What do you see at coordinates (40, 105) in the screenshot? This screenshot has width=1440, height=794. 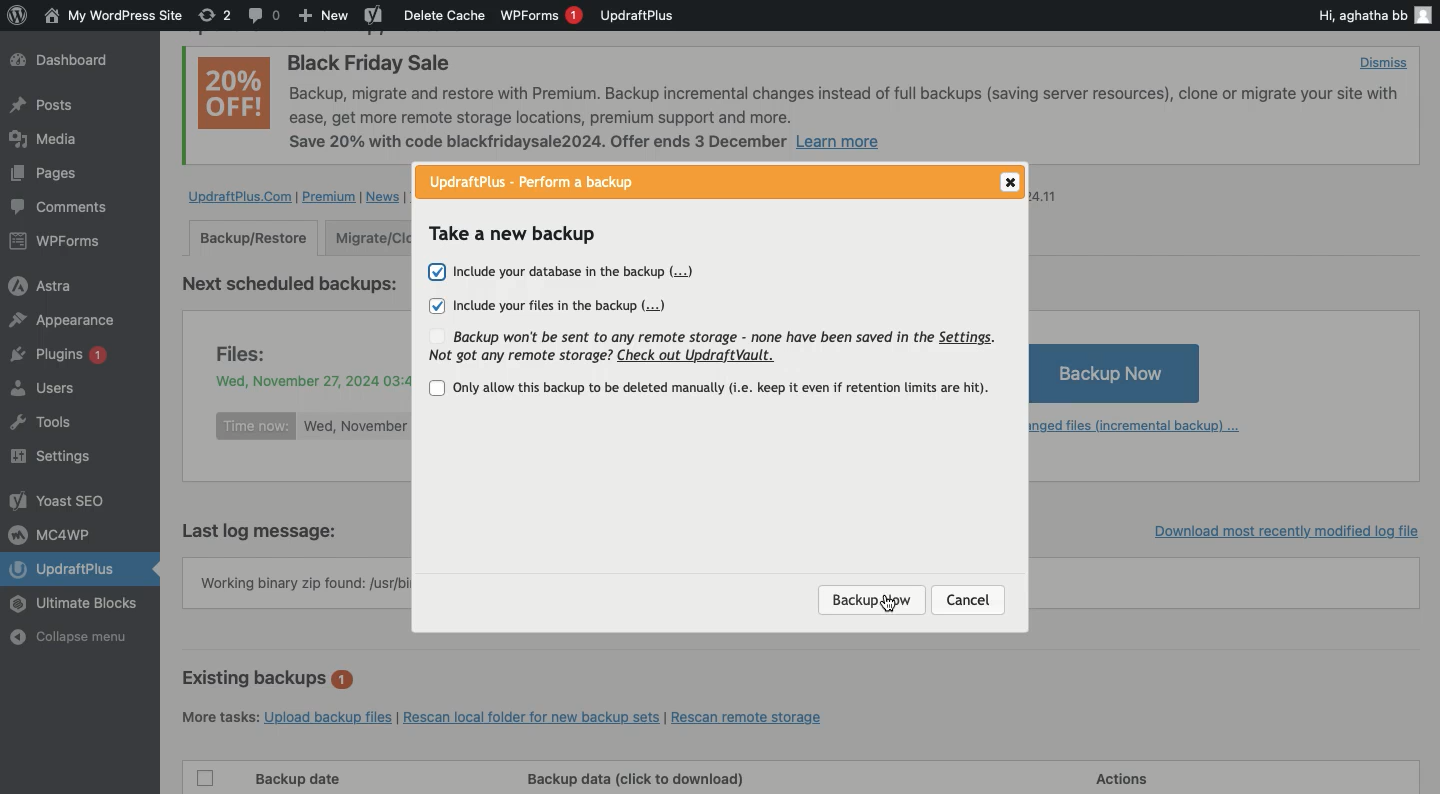 I see `Posts` at bounding box center [40, 105].